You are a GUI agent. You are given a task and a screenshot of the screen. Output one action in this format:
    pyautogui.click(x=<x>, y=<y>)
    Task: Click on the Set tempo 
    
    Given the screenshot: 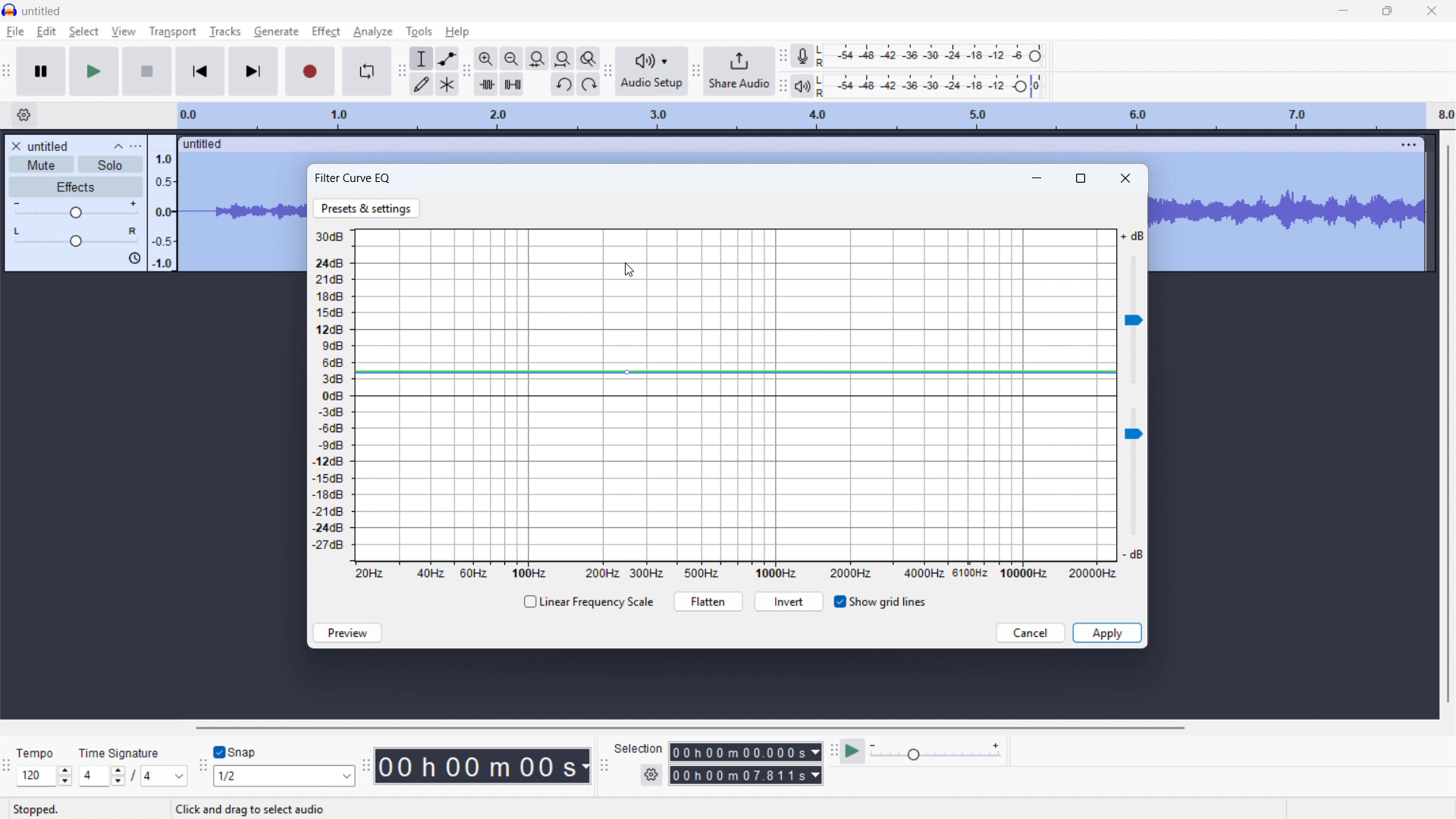 What is the action you would take?
    pyautogui.click(x=43, y=777)
    